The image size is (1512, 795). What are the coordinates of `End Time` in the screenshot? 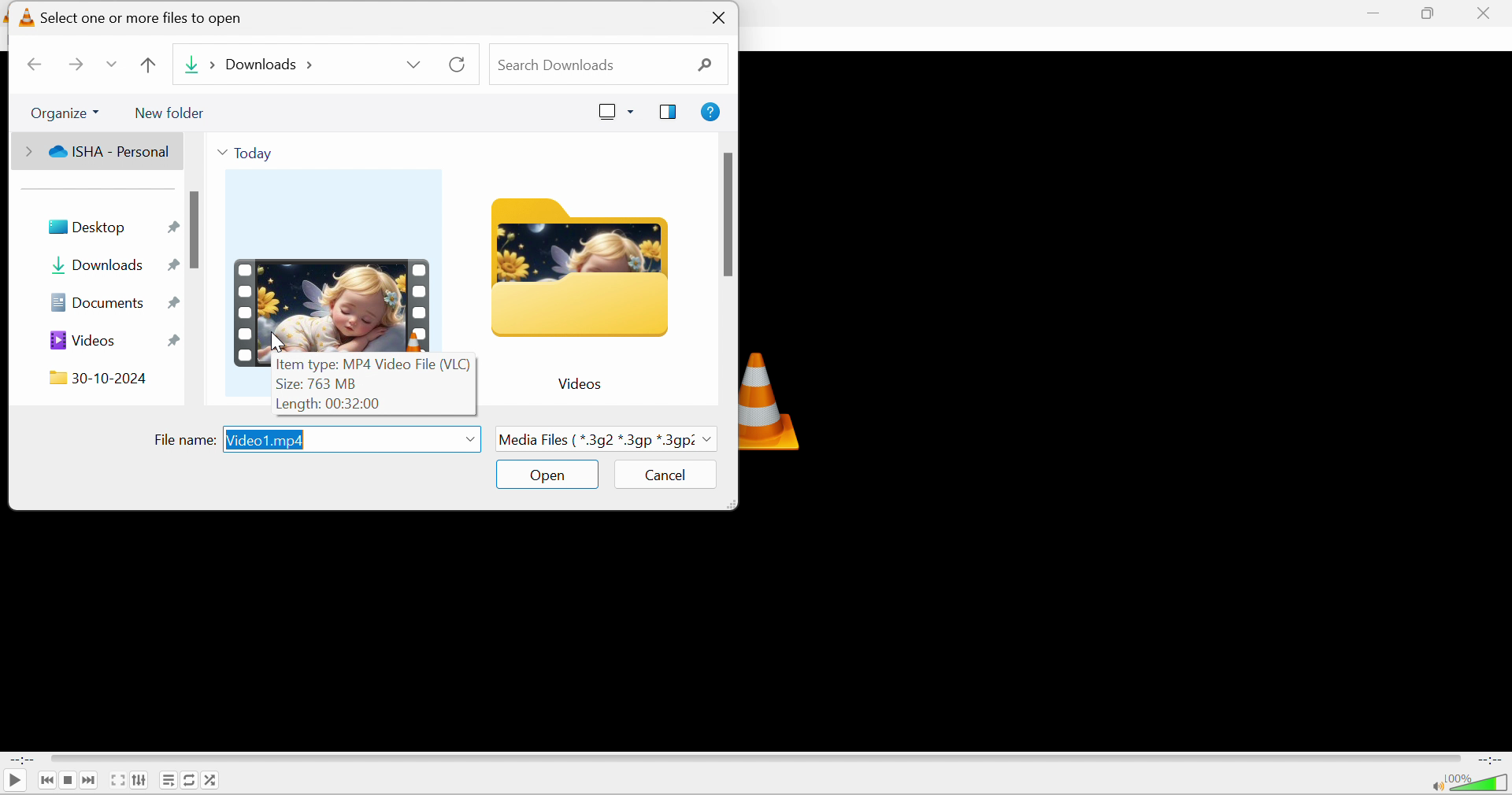 It's located at (1489, 760).